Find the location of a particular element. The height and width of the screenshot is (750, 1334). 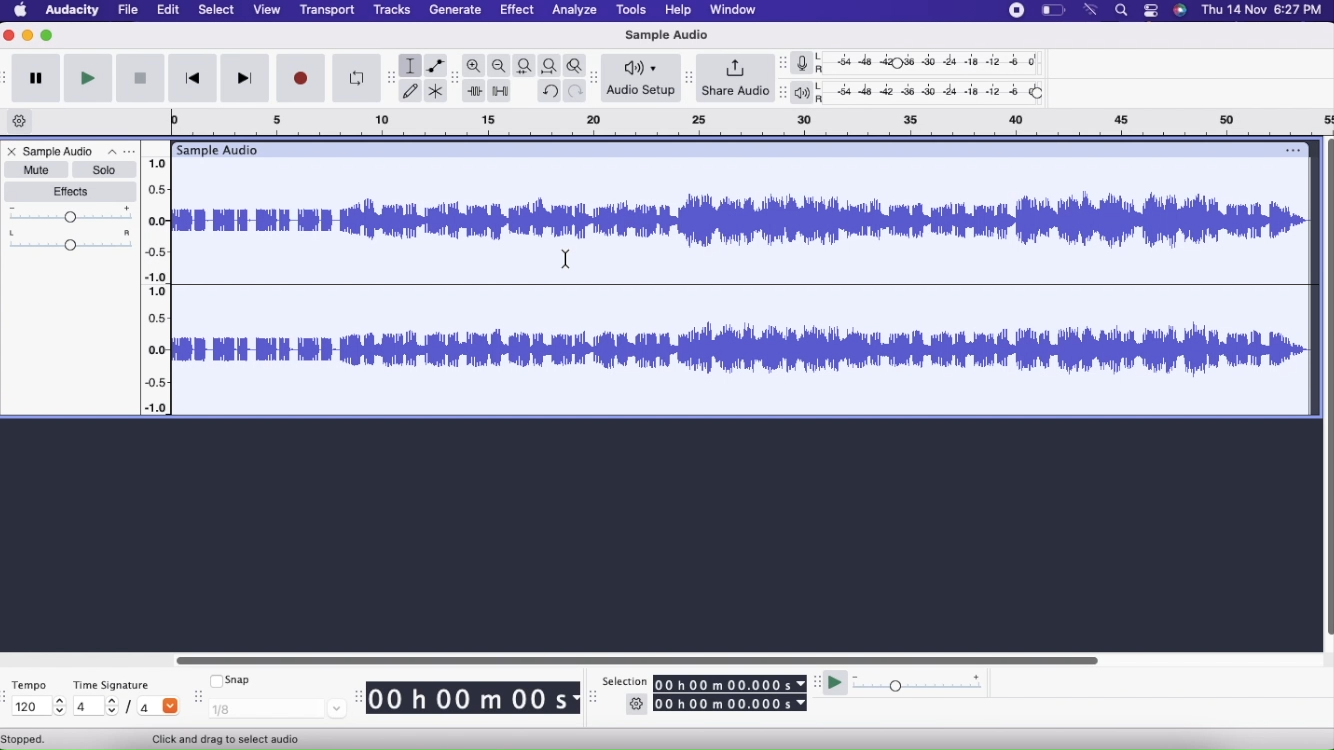

Pan: Center is located at coordinates (71, 242).